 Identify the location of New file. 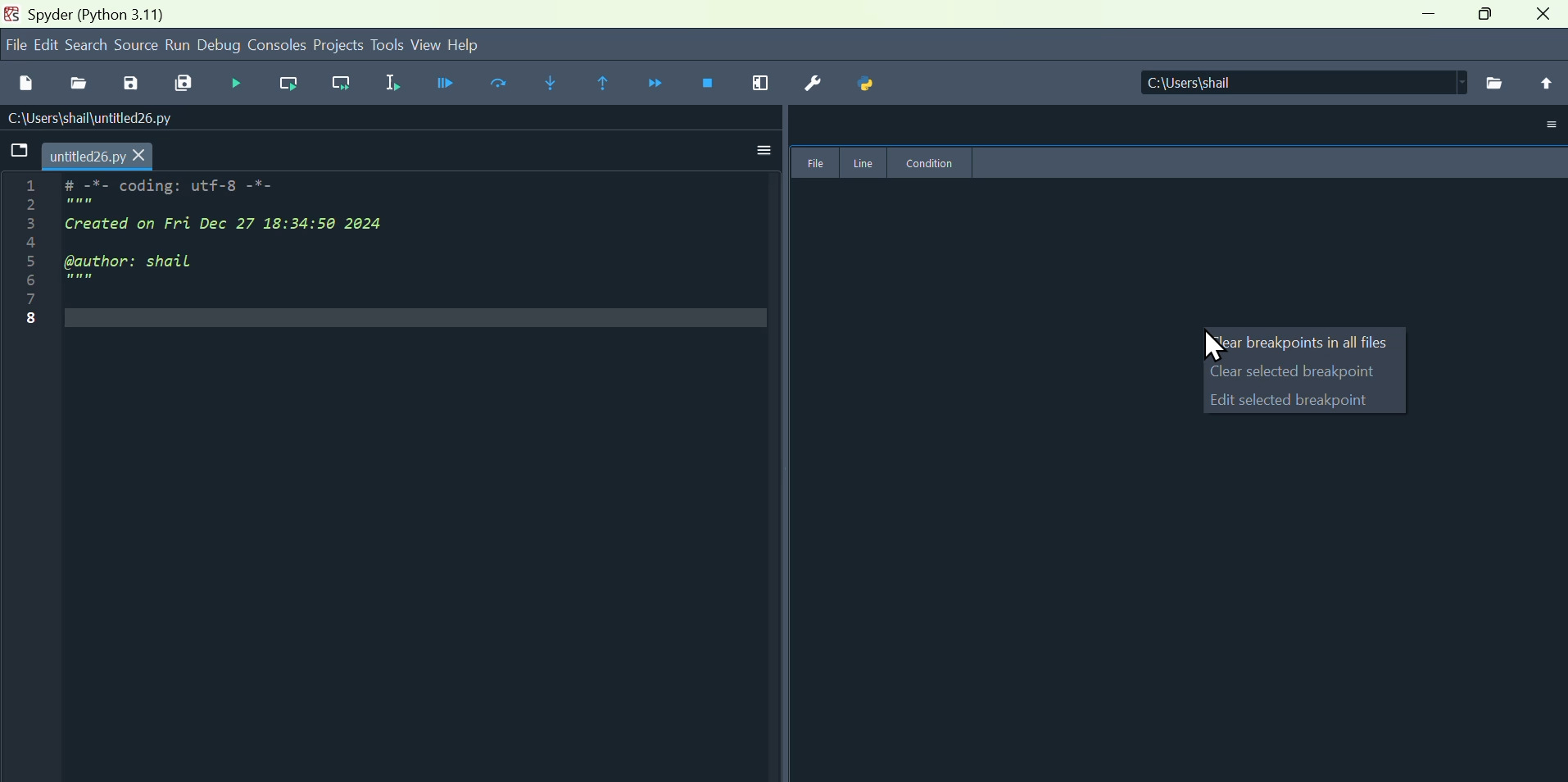
(25, 85).